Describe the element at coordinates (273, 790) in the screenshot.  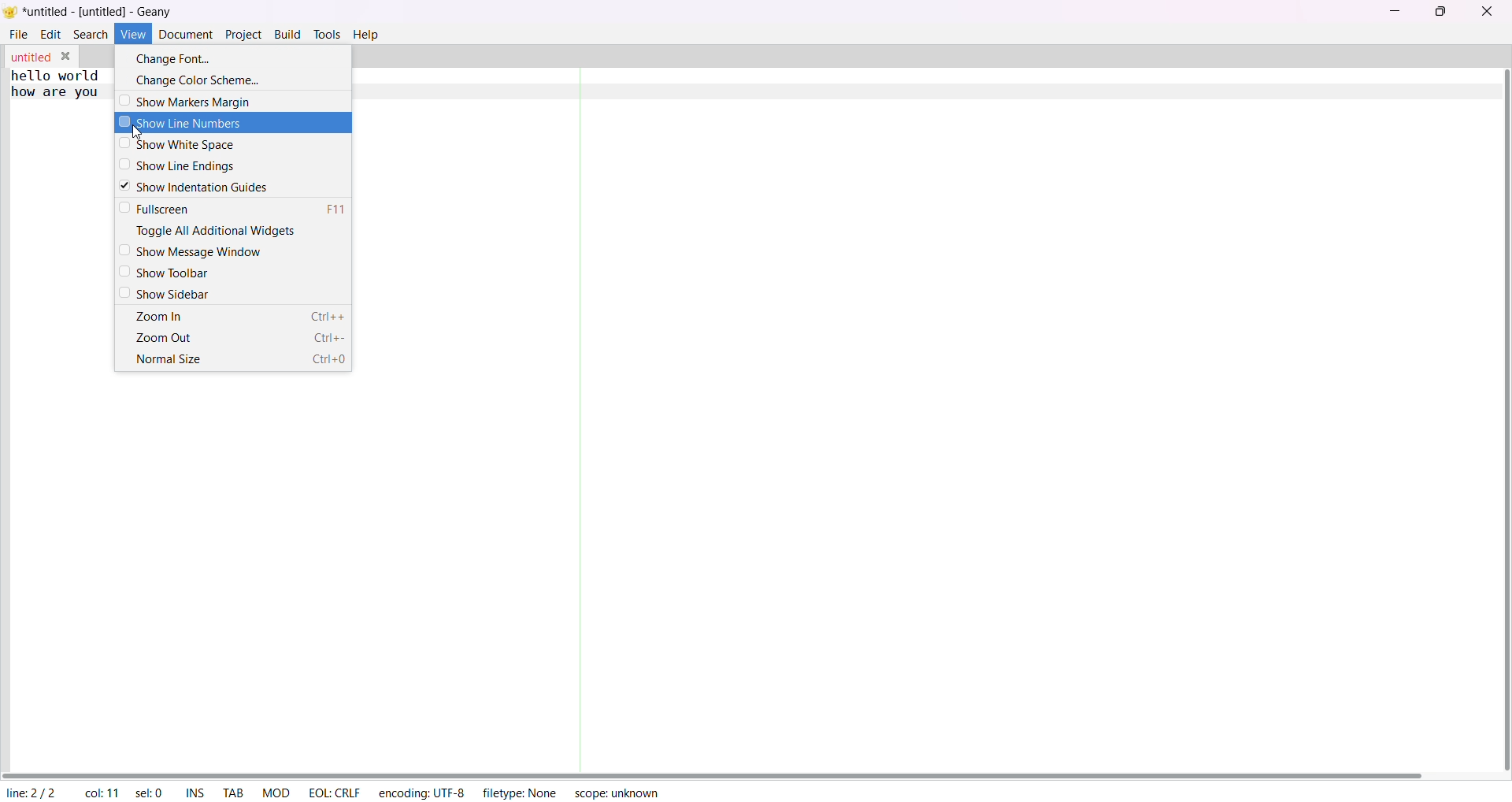
I see `MOD` at that location.